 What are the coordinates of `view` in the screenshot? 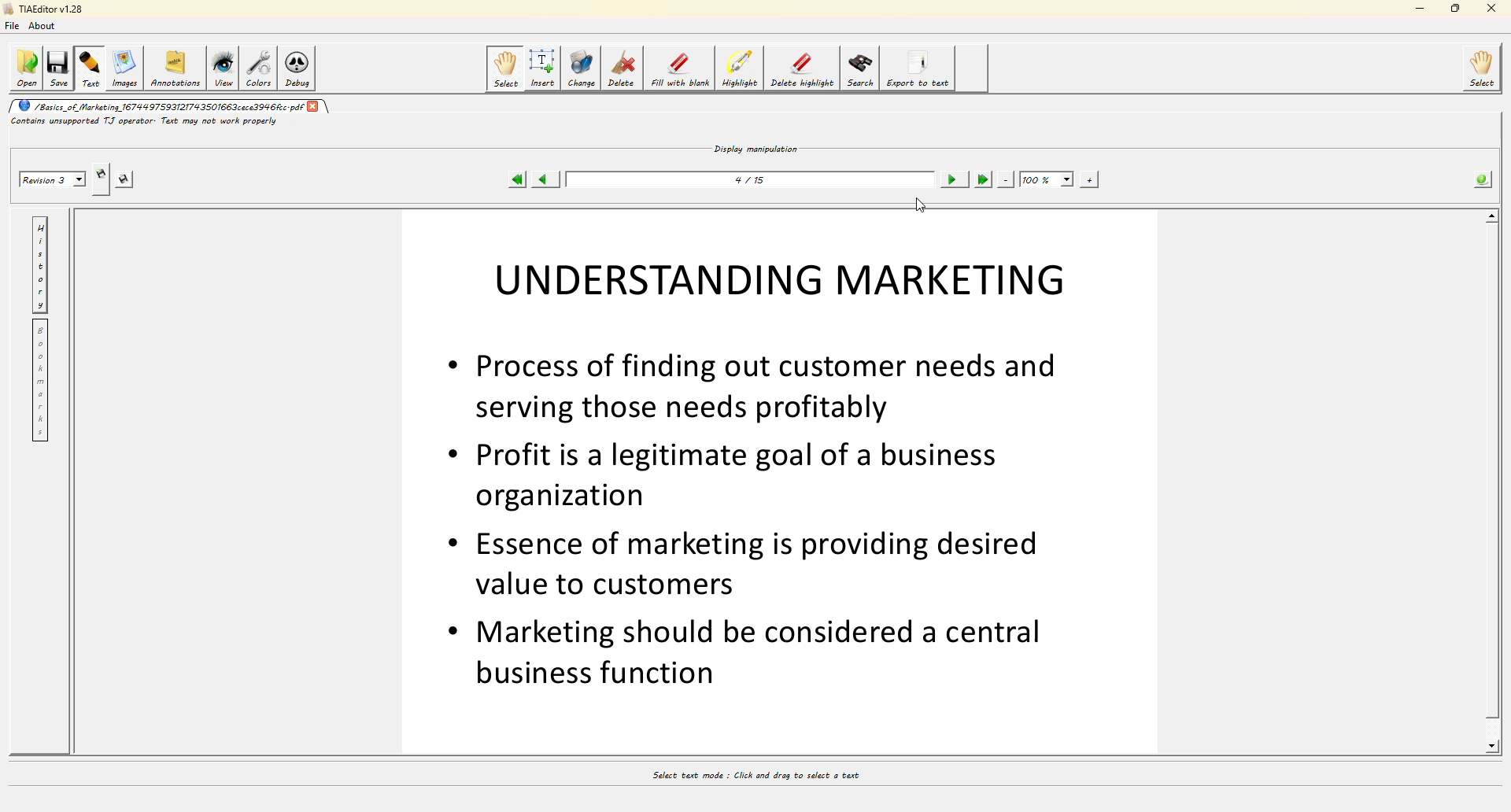 It's located at (224, 65).